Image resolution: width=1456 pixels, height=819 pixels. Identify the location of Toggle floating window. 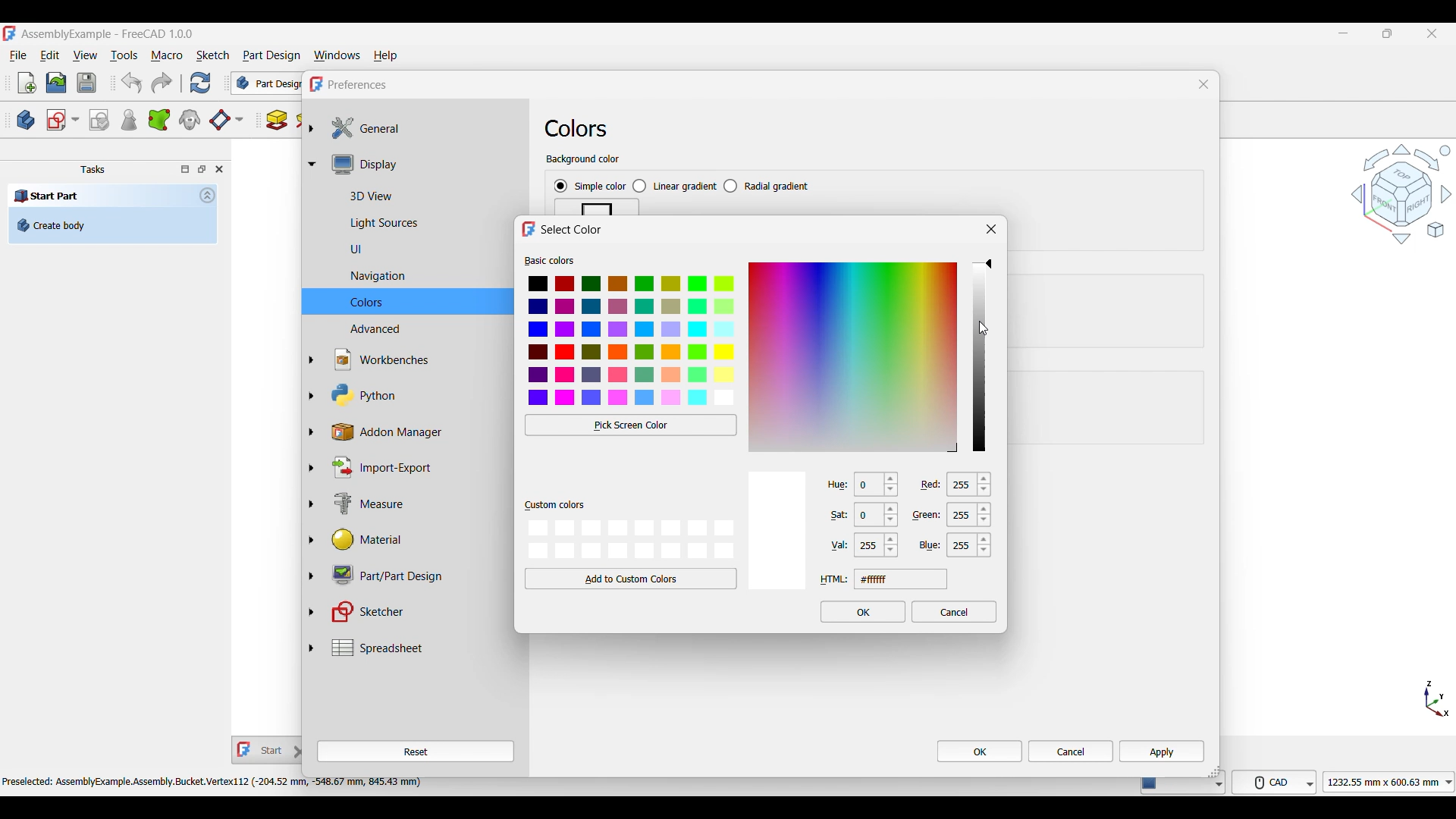
(202, 168).